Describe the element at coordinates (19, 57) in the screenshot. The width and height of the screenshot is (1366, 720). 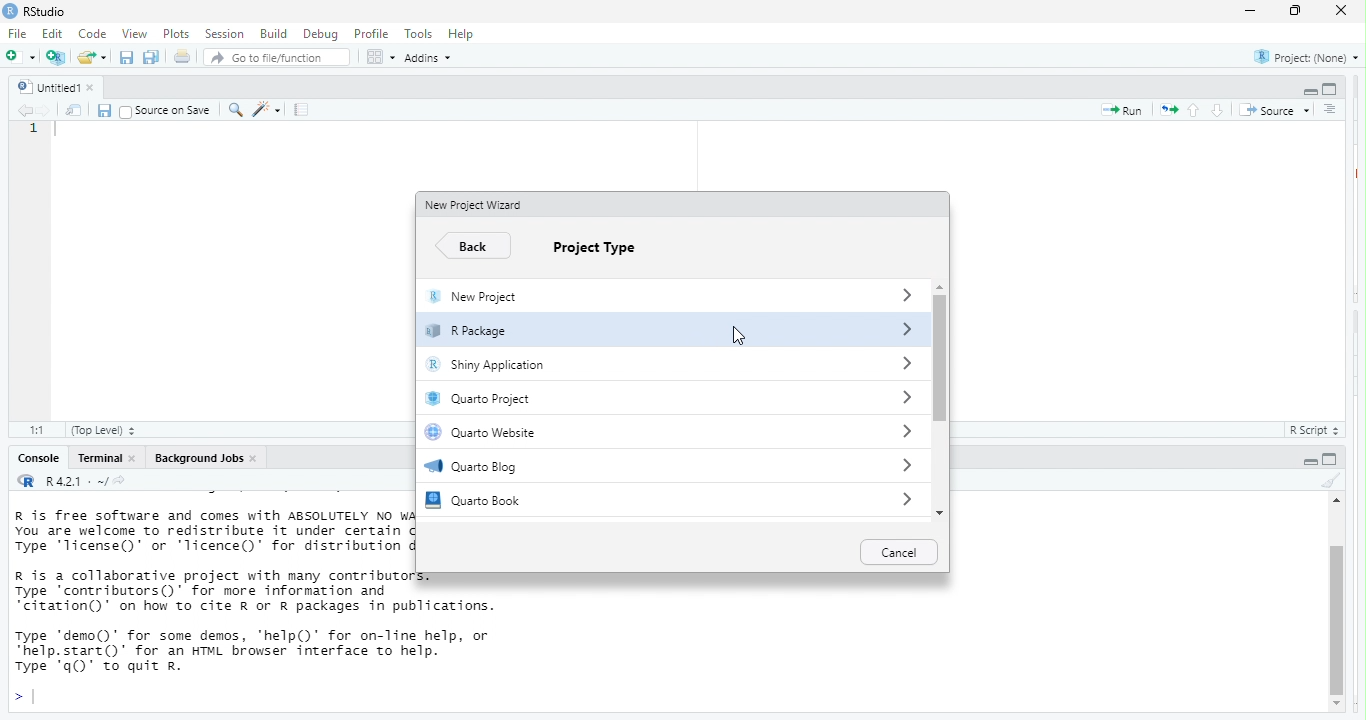
I see `new file` at that location.